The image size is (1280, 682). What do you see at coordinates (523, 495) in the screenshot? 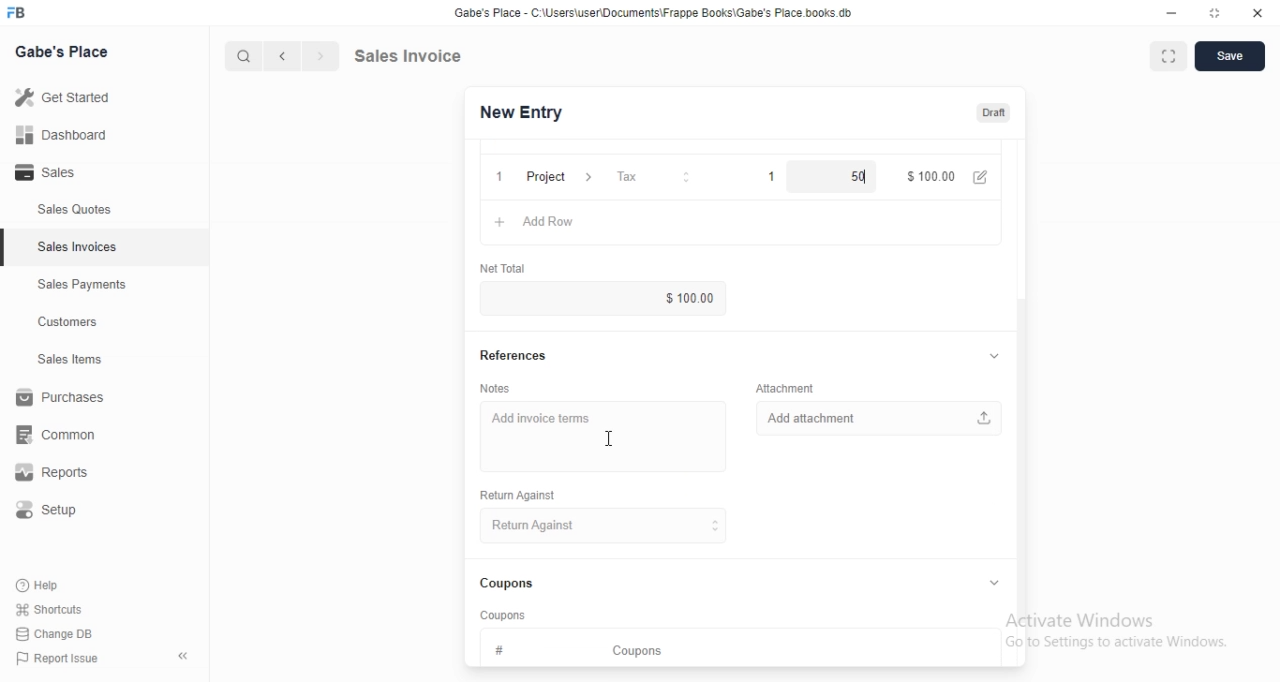
I see `Return Against` at bounding box center [523, 495].